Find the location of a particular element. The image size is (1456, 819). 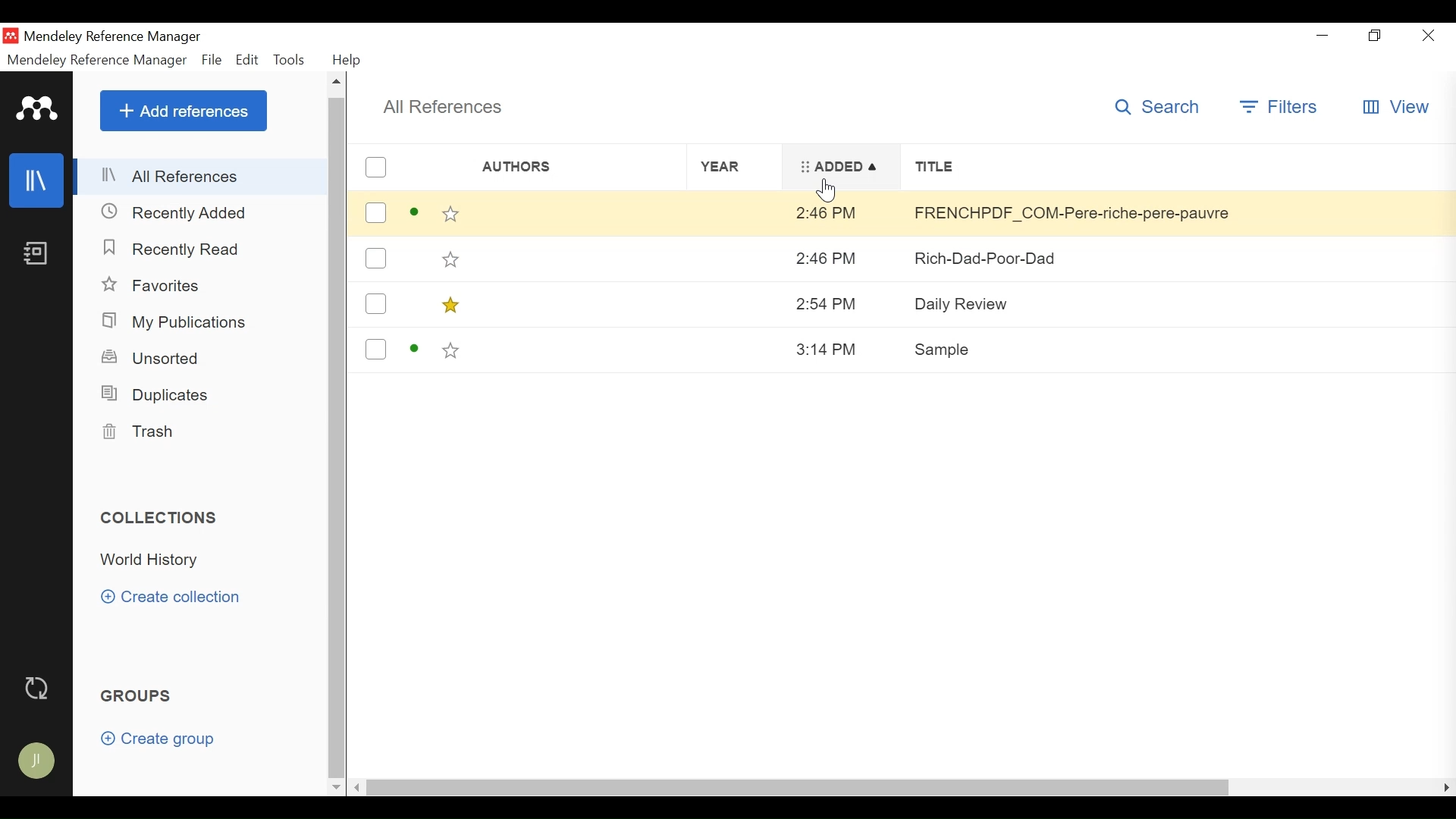

minimize is located at coordinates (1320, 35).